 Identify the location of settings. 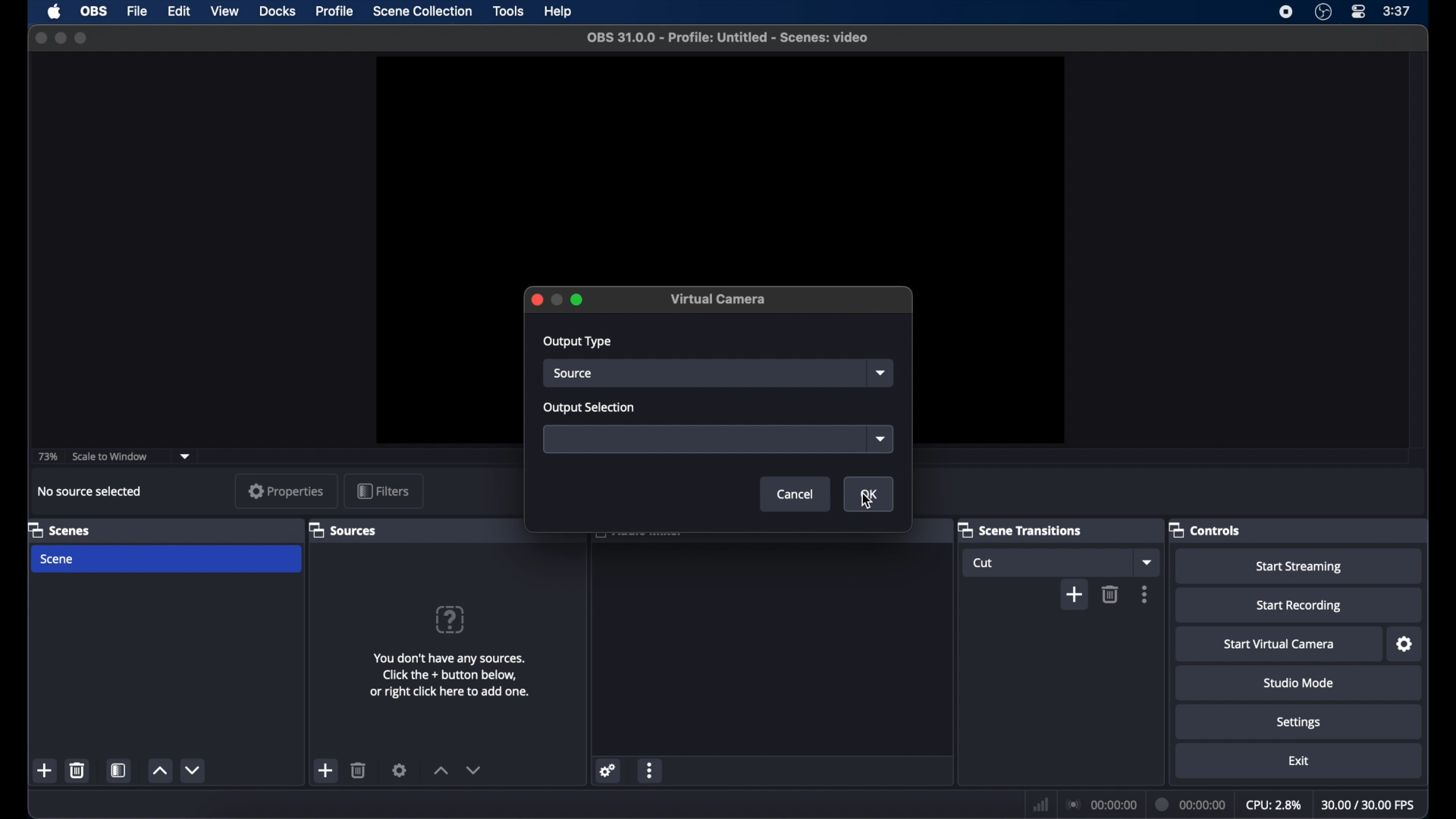
(608, 770).